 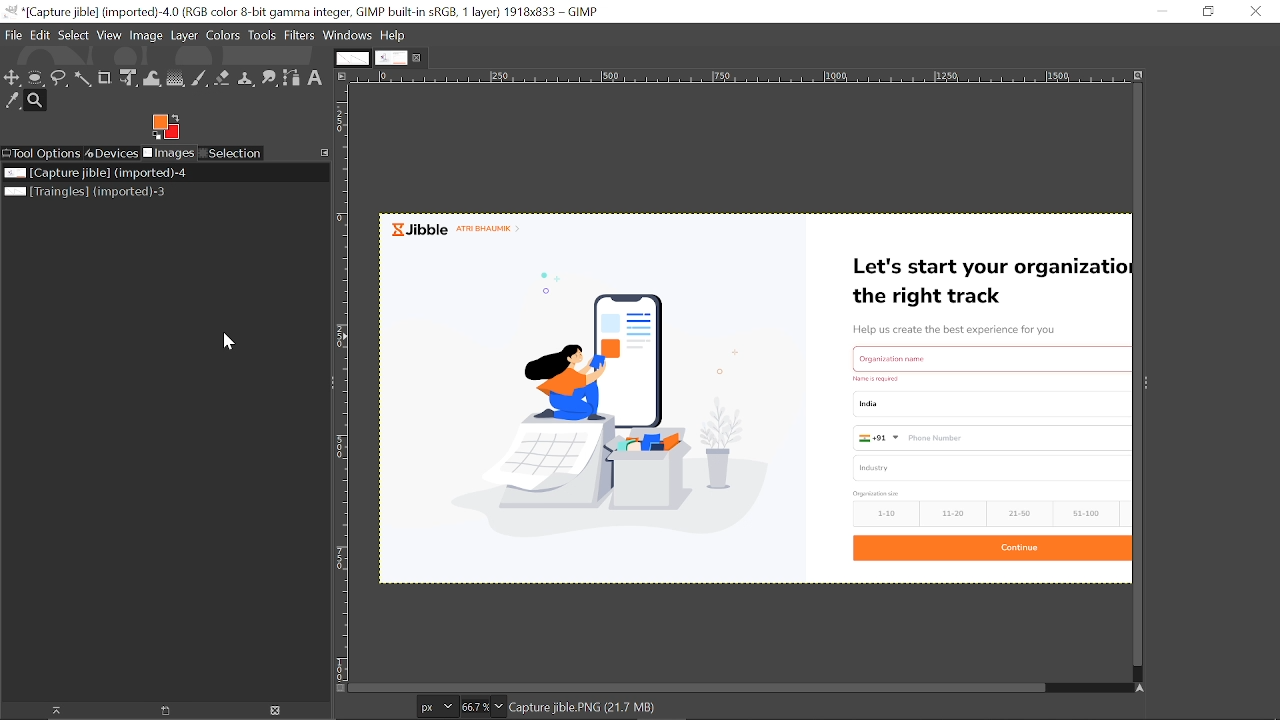 What do you see at coordinates (40, 37) in the screenshot?
I see `Edit` at bounding box center [40, 37].